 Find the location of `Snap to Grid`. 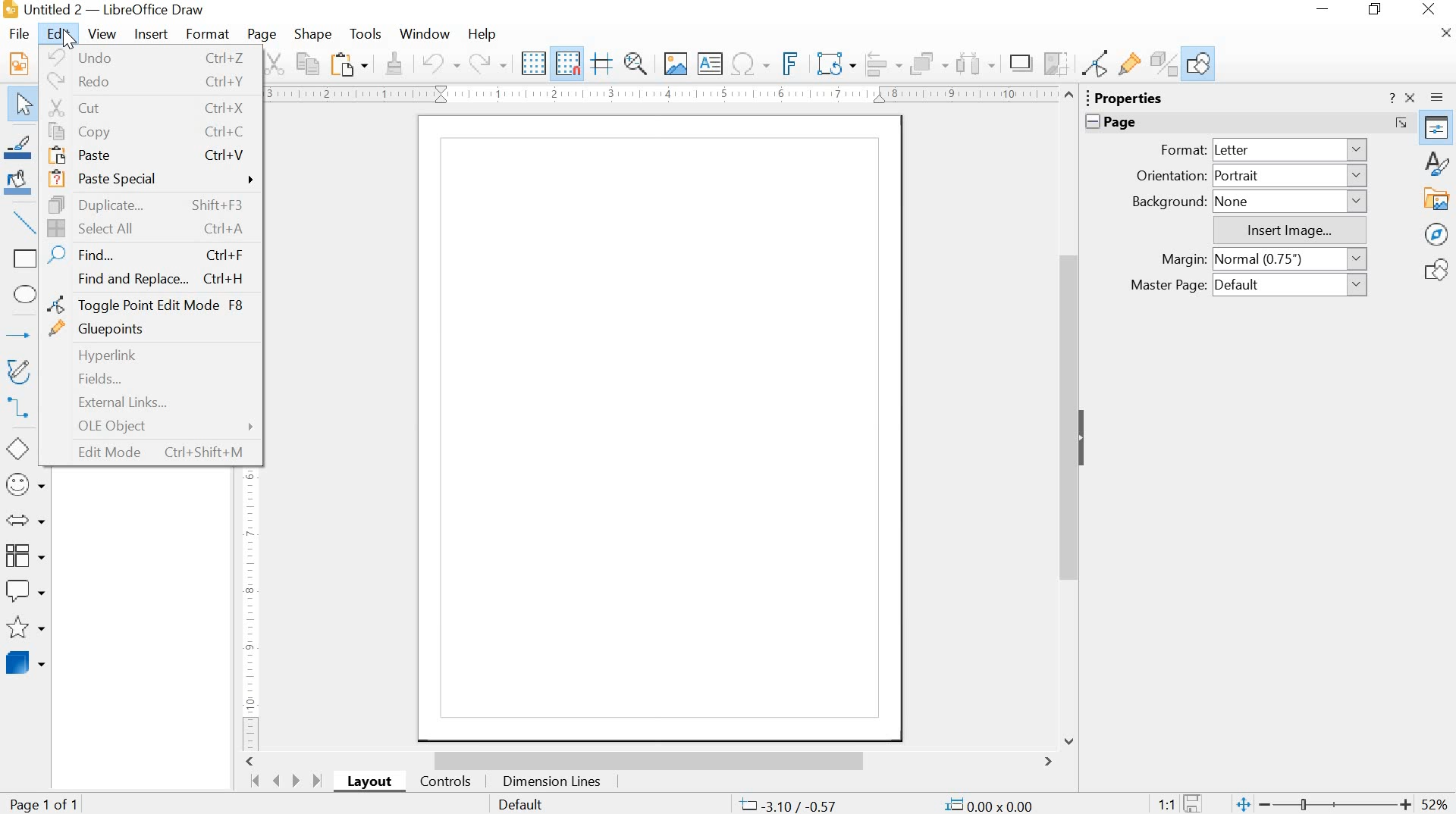

Snap to Grid is located at coordinates (569, 64).